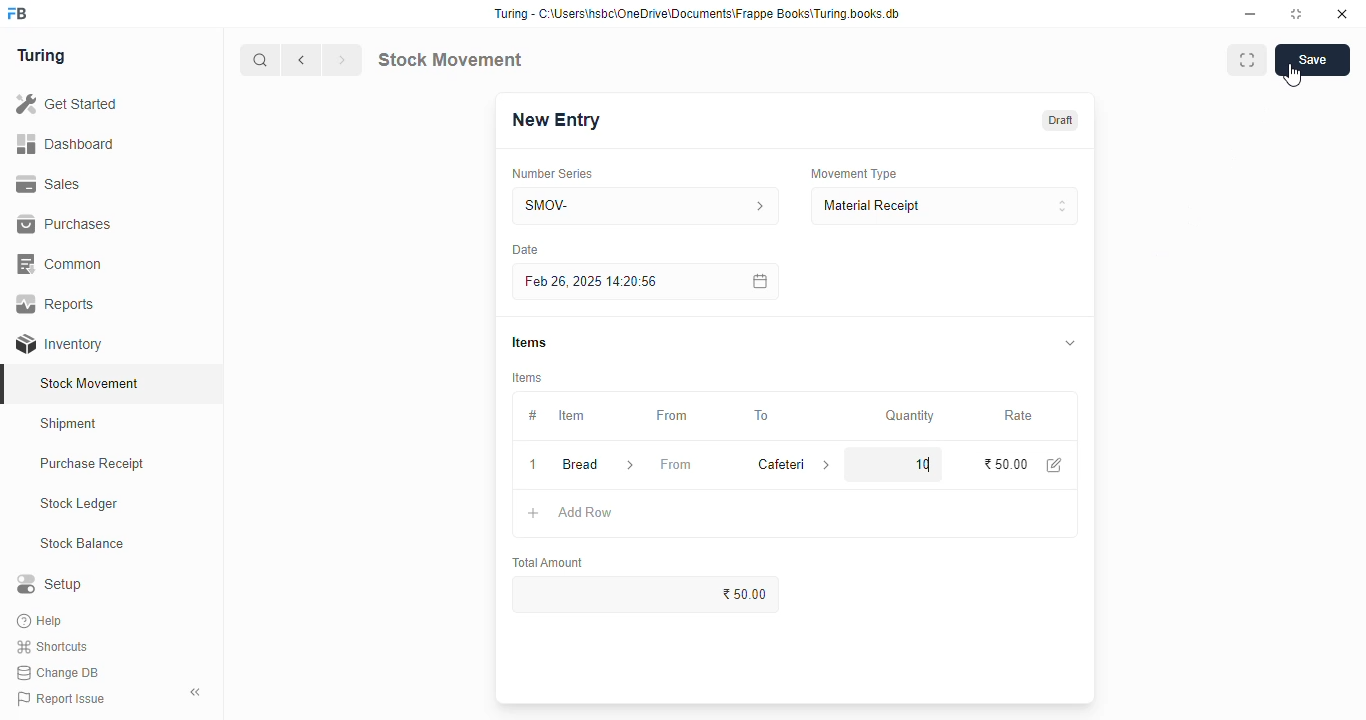 The width and height of the screenshot is (1366, 720). What do you see at coordinates (83, 544) in the screenshot?
I see `stock balance` at bounding box center [83, 544].